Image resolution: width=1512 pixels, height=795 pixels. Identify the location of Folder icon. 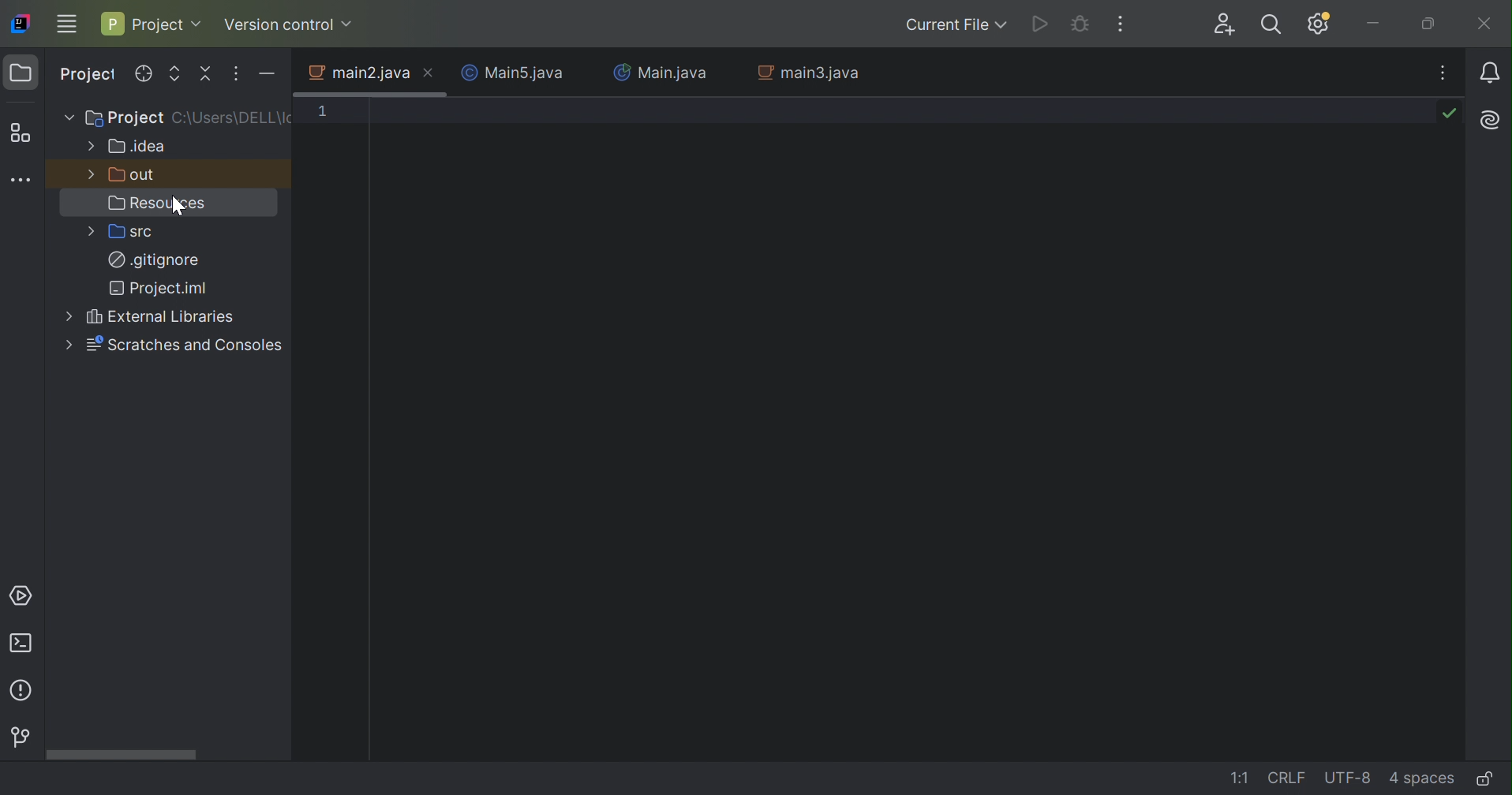
(22, 73).